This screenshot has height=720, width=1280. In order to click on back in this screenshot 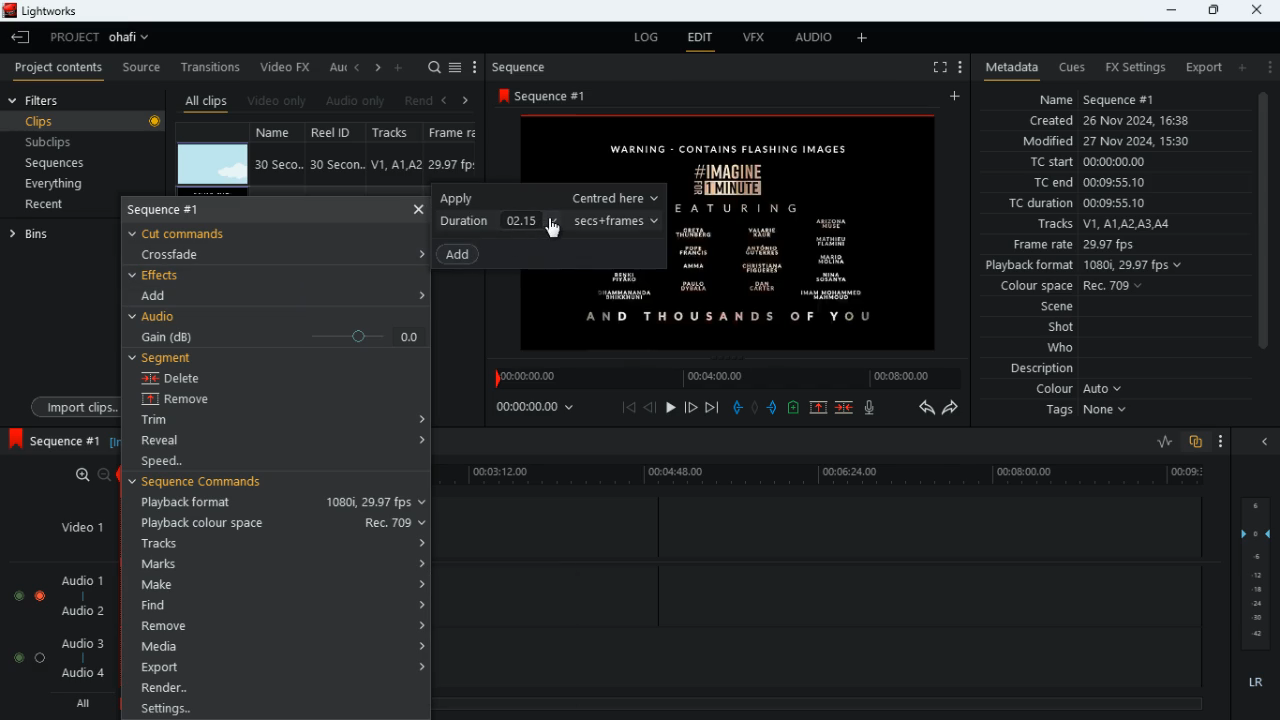, I will do `click(443, 101)`.